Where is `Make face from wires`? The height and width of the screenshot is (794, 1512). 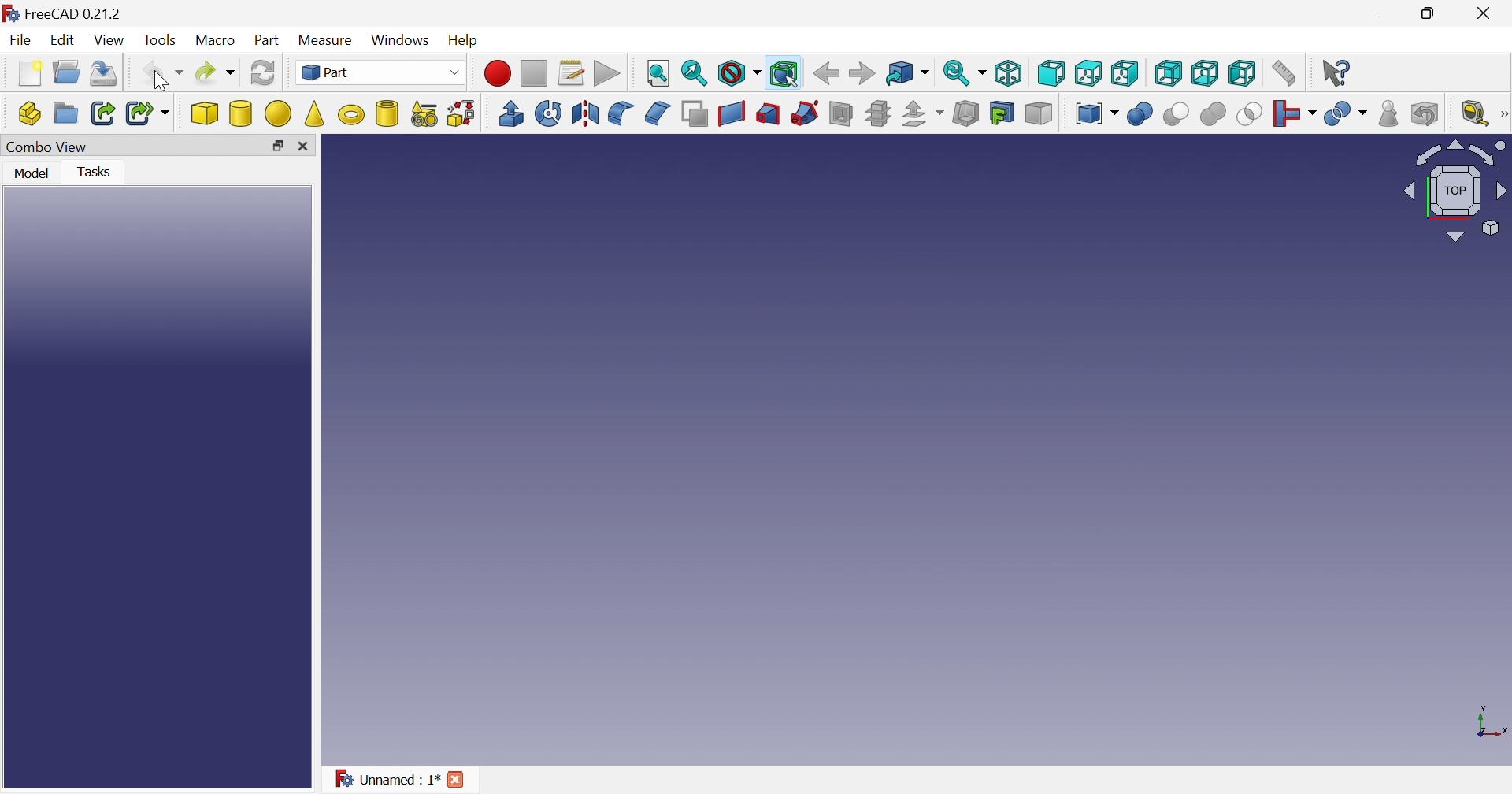
Make face from wires is located at coordinates (695, 114).